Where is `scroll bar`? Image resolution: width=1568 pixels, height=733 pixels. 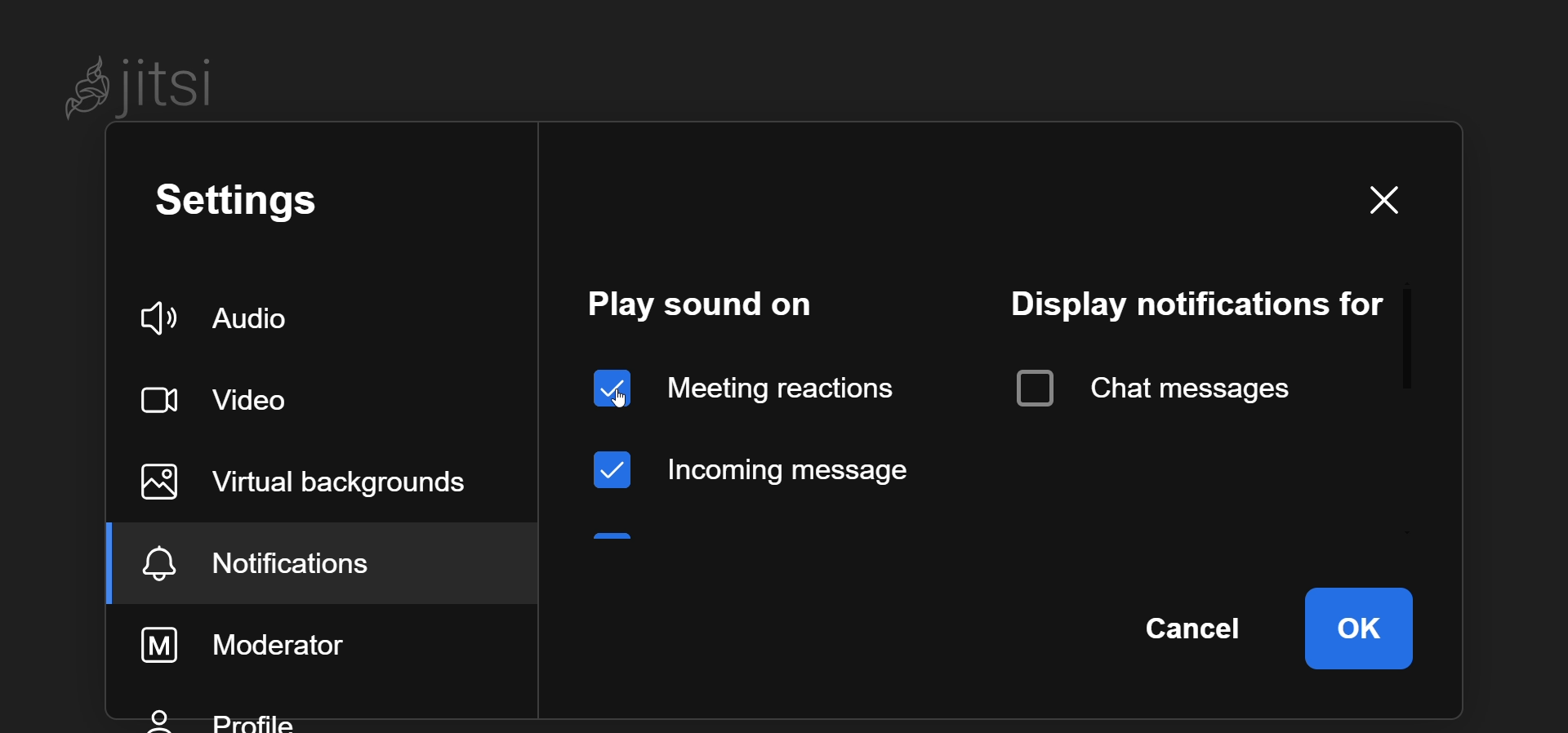 scroll bar is located at coordinates (1414, 340).